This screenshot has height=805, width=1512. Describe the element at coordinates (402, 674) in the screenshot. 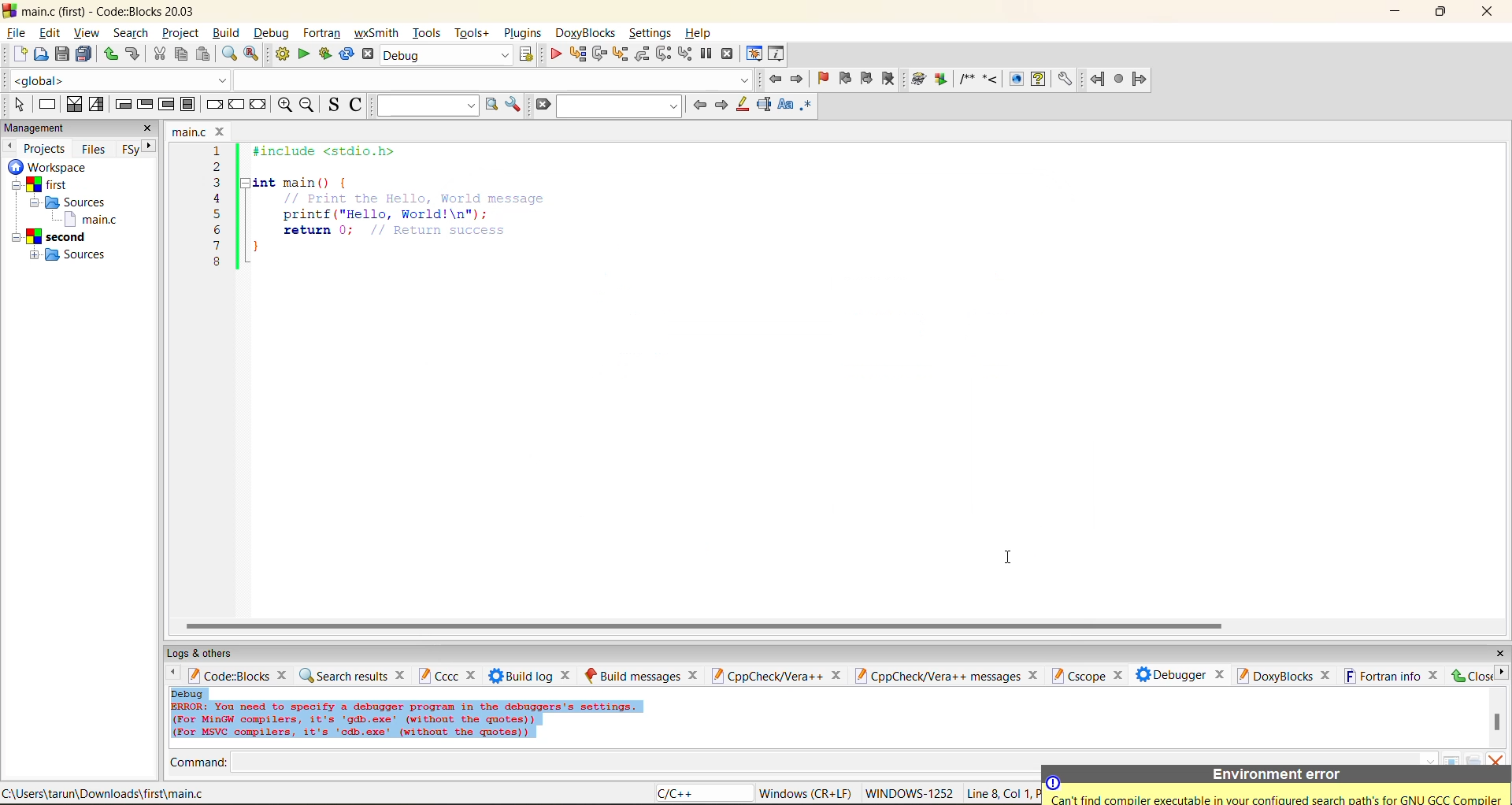

I see `close` at that location.